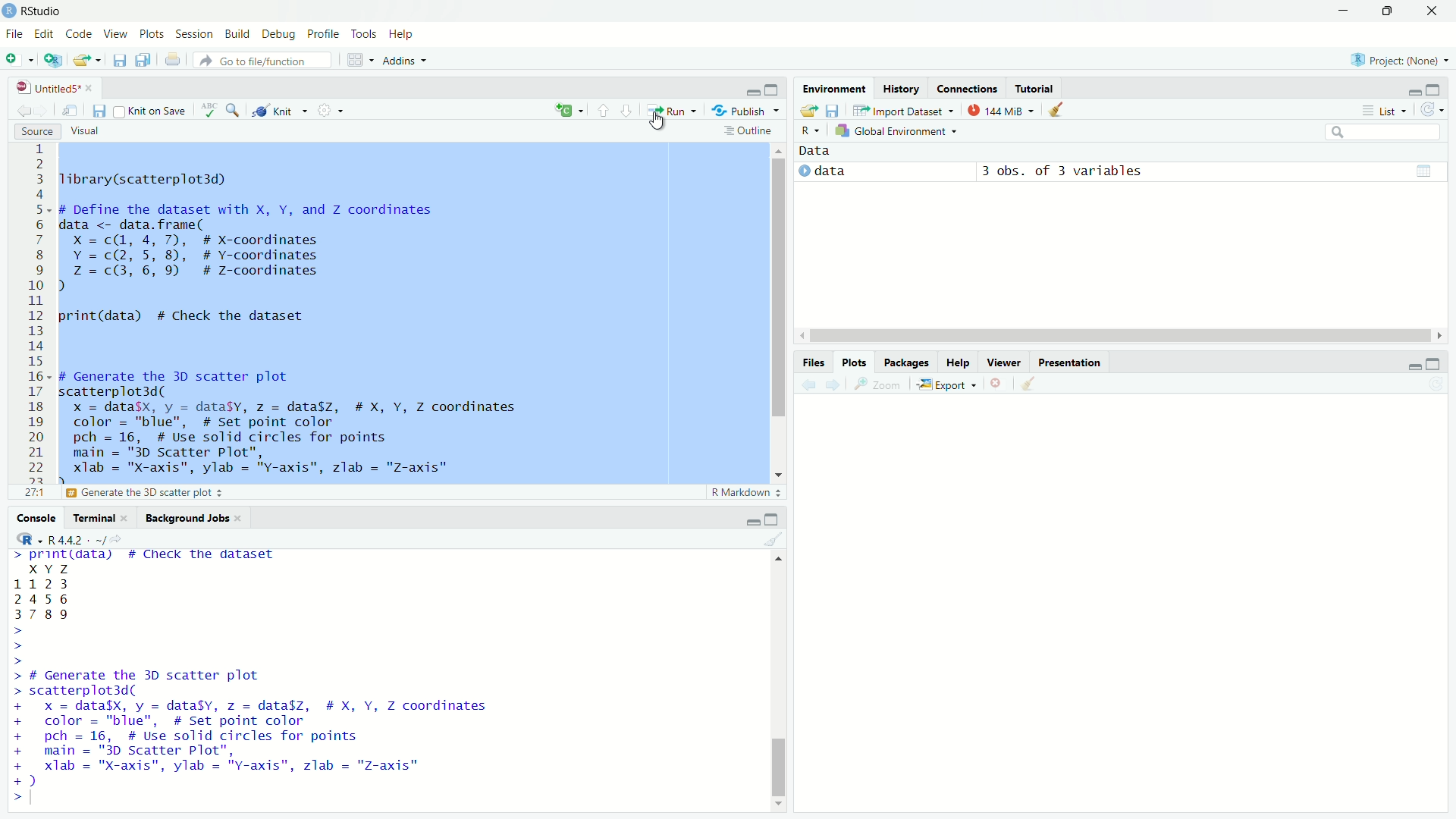 This screenshot has height=819, width=1456. I want to click on maximize, so click(1441, 88).